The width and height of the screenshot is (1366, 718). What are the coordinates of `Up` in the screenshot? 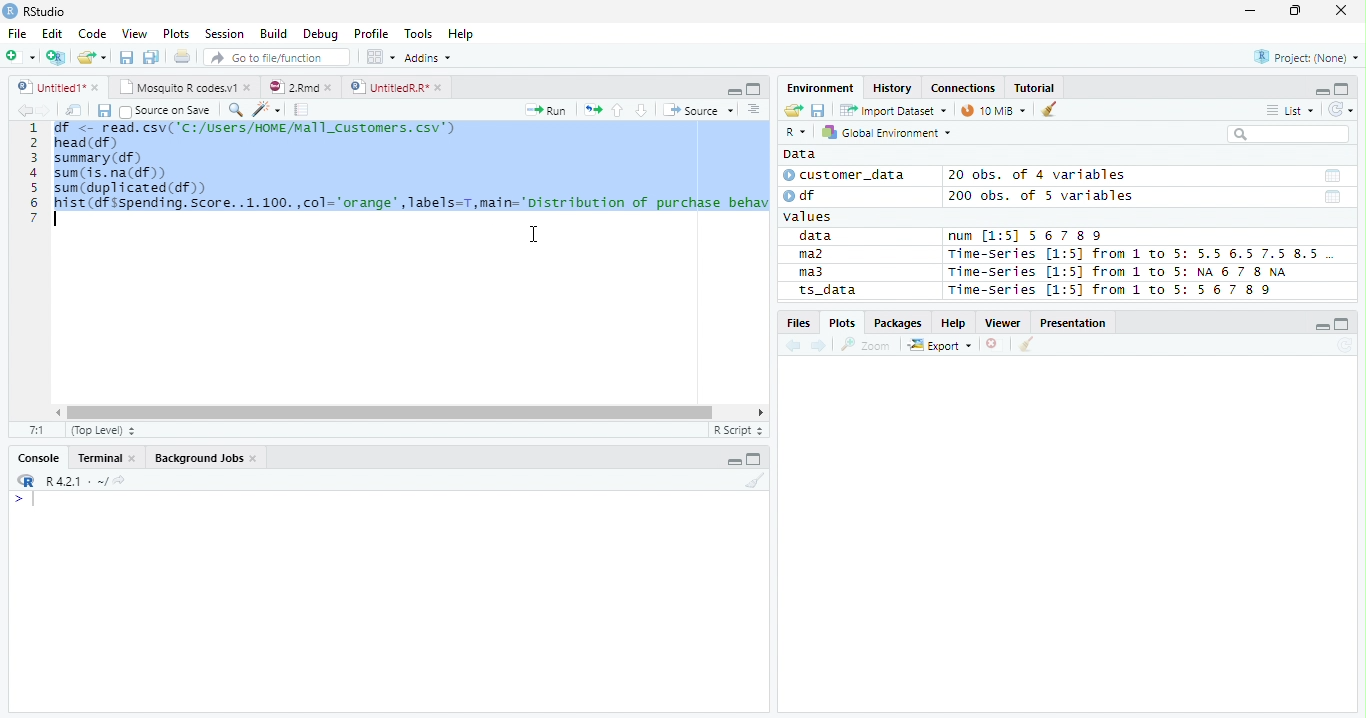 It's located at (617, 111).